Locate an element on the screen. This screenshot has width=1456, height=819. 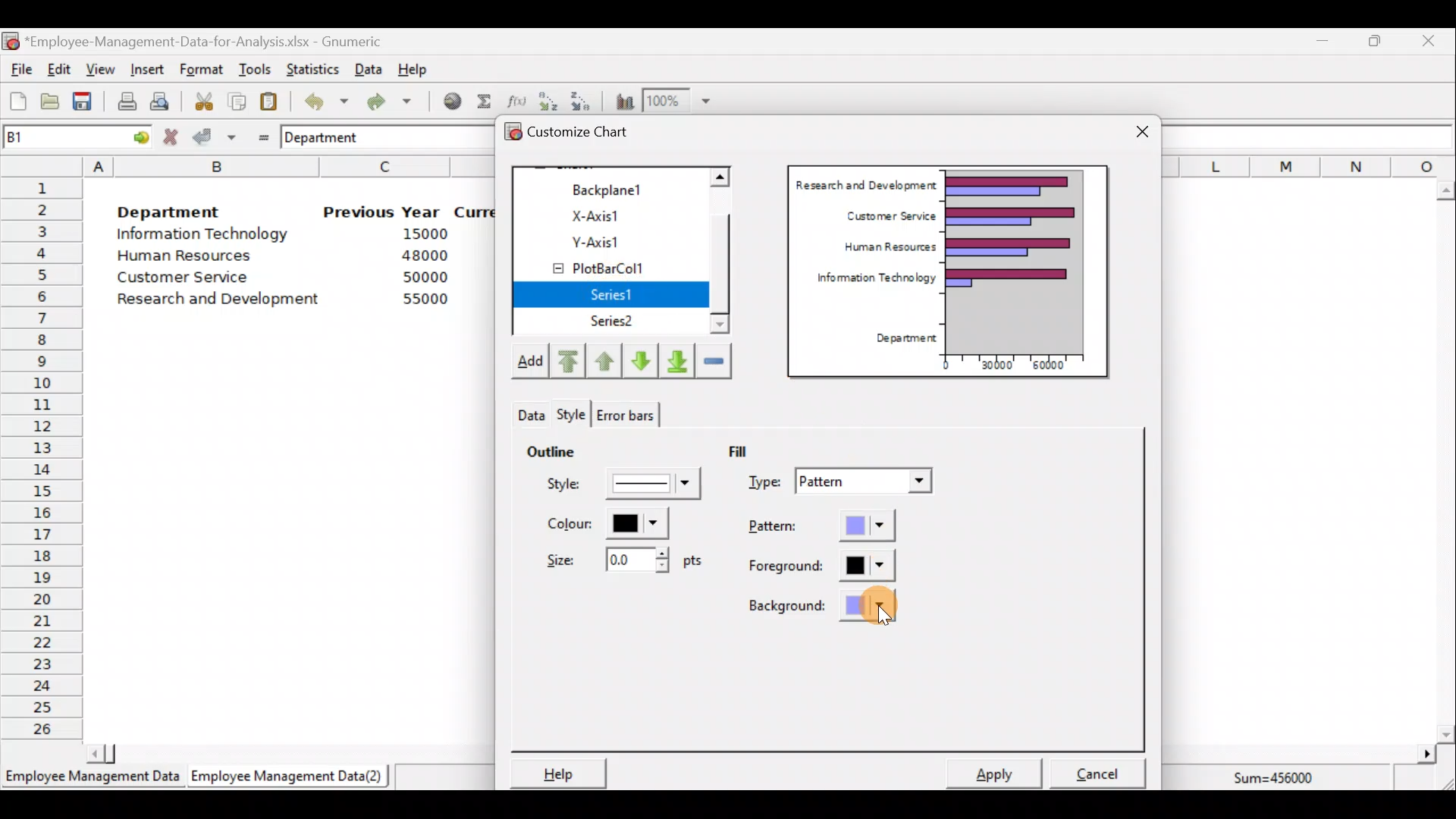
Insert a chart is located at coordinates (621, 101).